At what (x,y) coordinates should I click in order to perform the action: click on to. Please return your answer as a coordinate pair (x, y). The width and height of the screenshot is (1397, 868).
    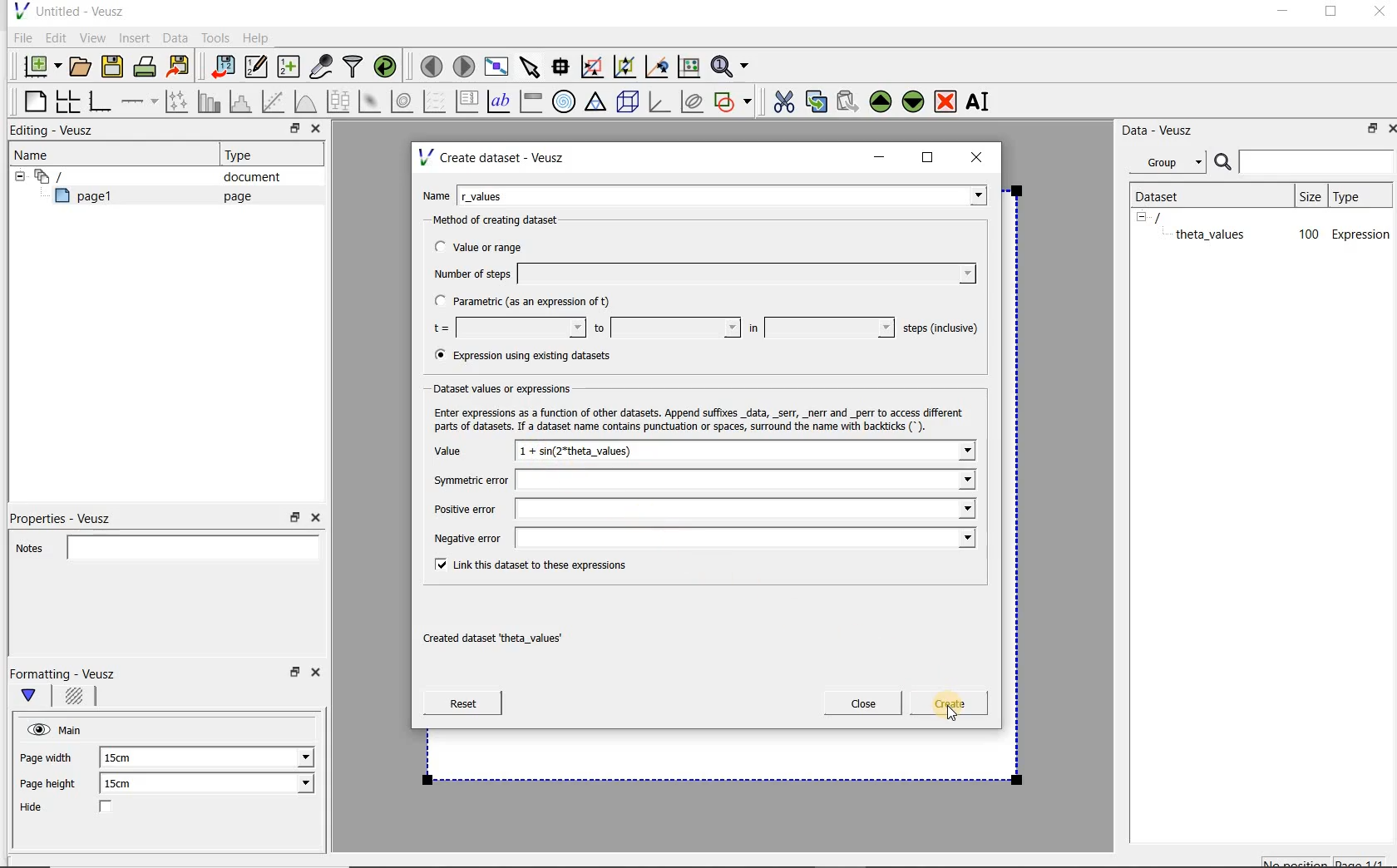
    Looking at the image, I should click on (665, 328).